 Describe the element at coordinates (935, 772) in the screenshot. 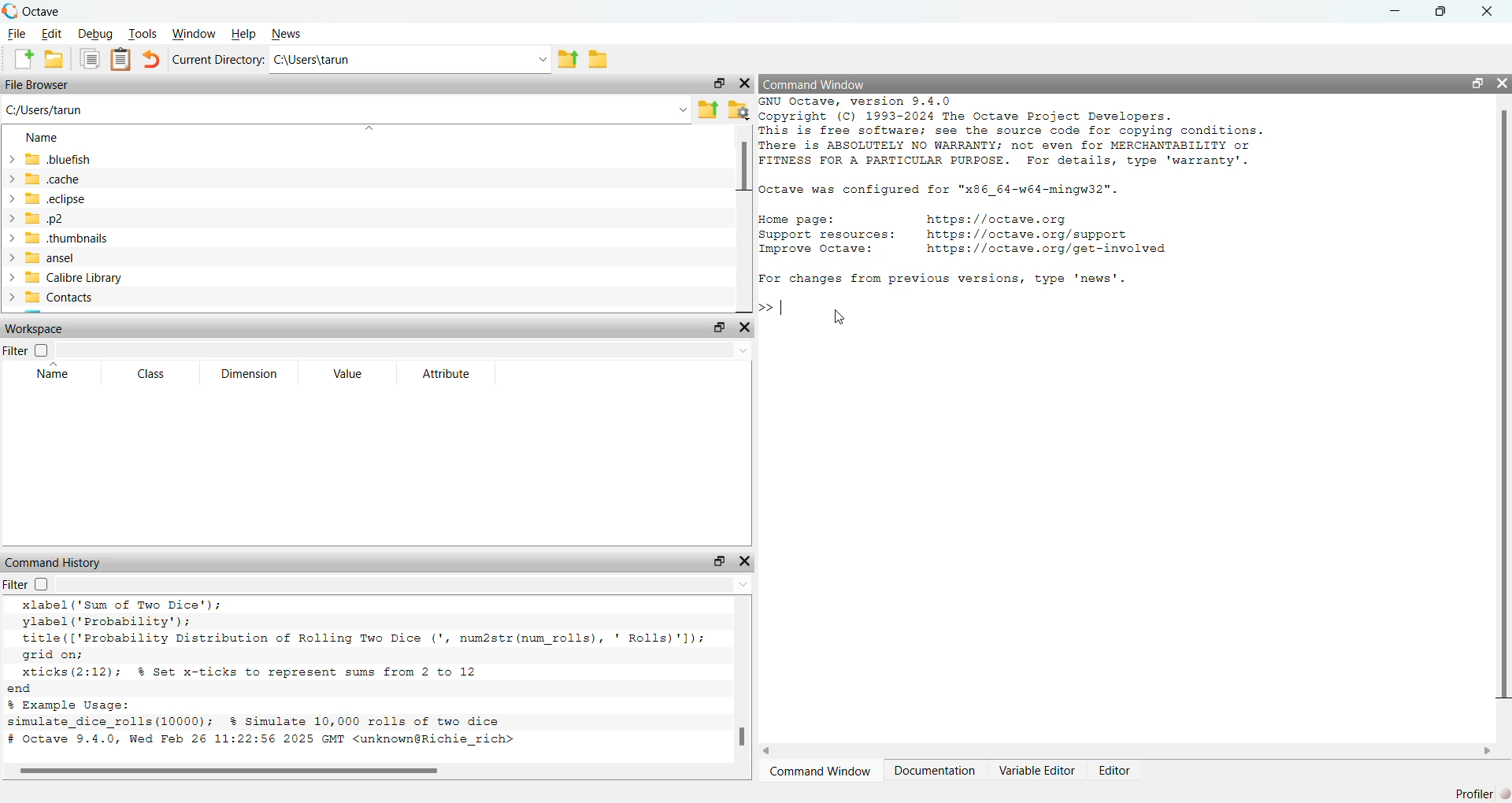

I see `Documentation` at that location.